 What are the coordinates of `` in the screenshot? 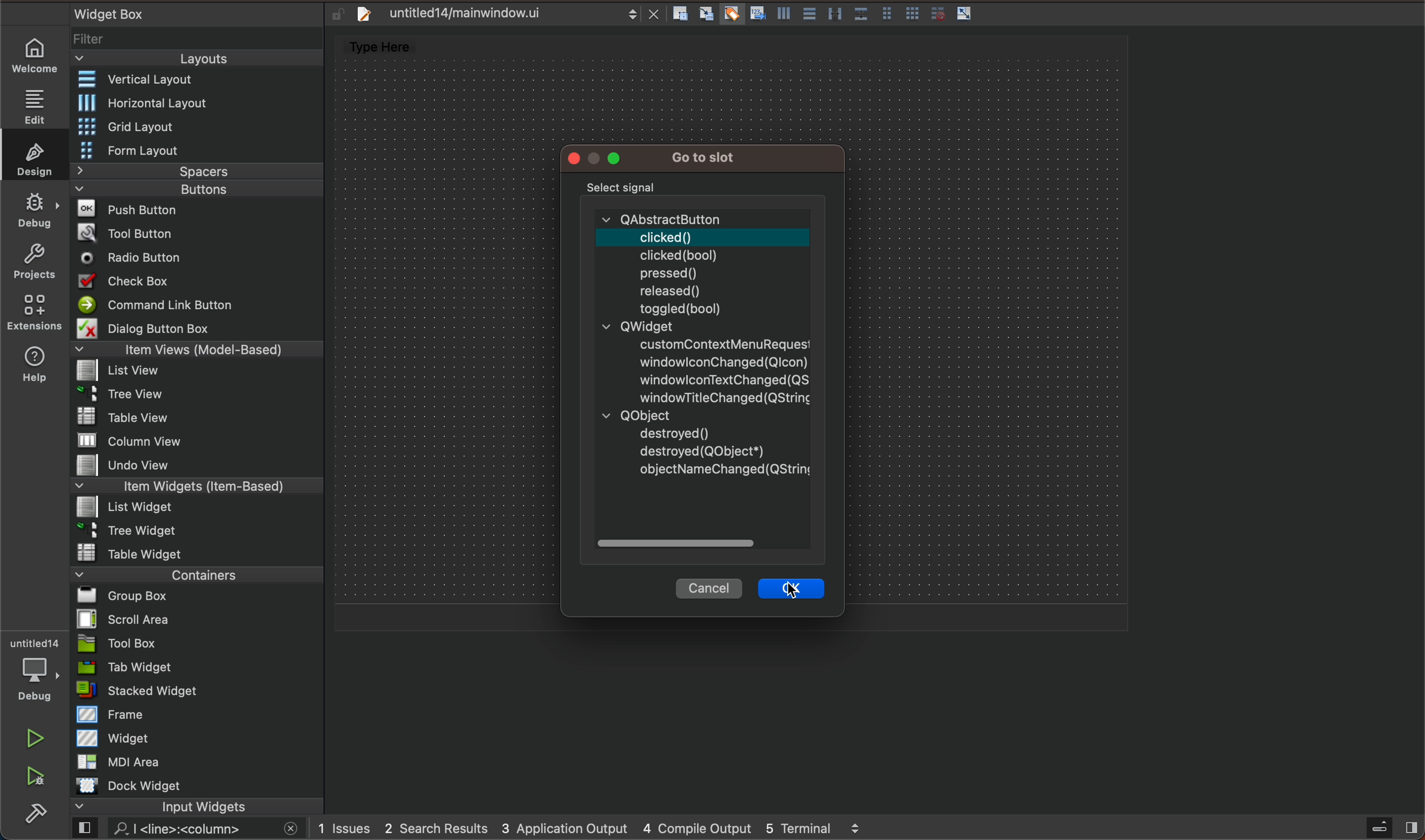 It's located at (733, 13).